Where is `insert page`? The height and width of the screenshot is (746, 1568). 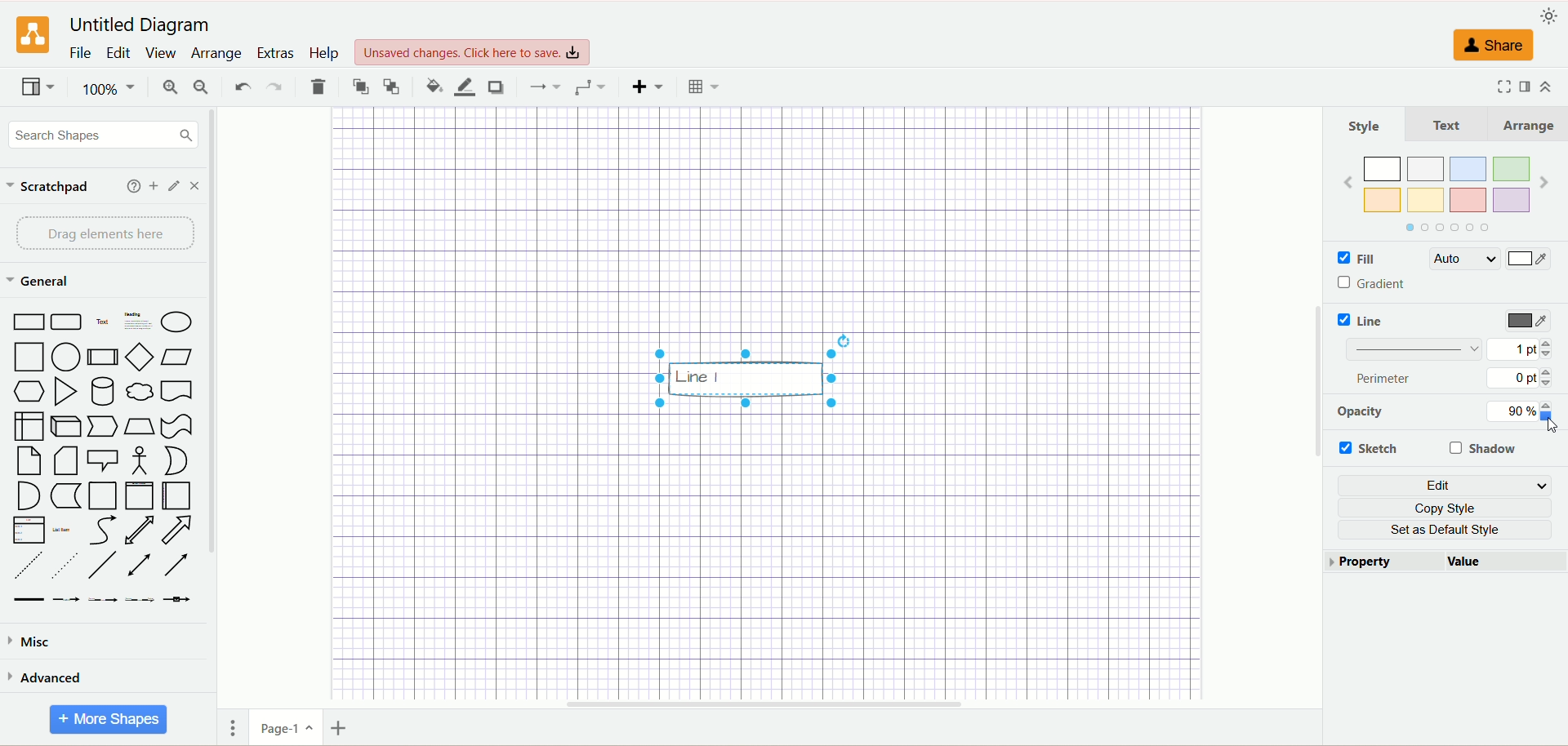 insert page is located at coordinates (341, 726).